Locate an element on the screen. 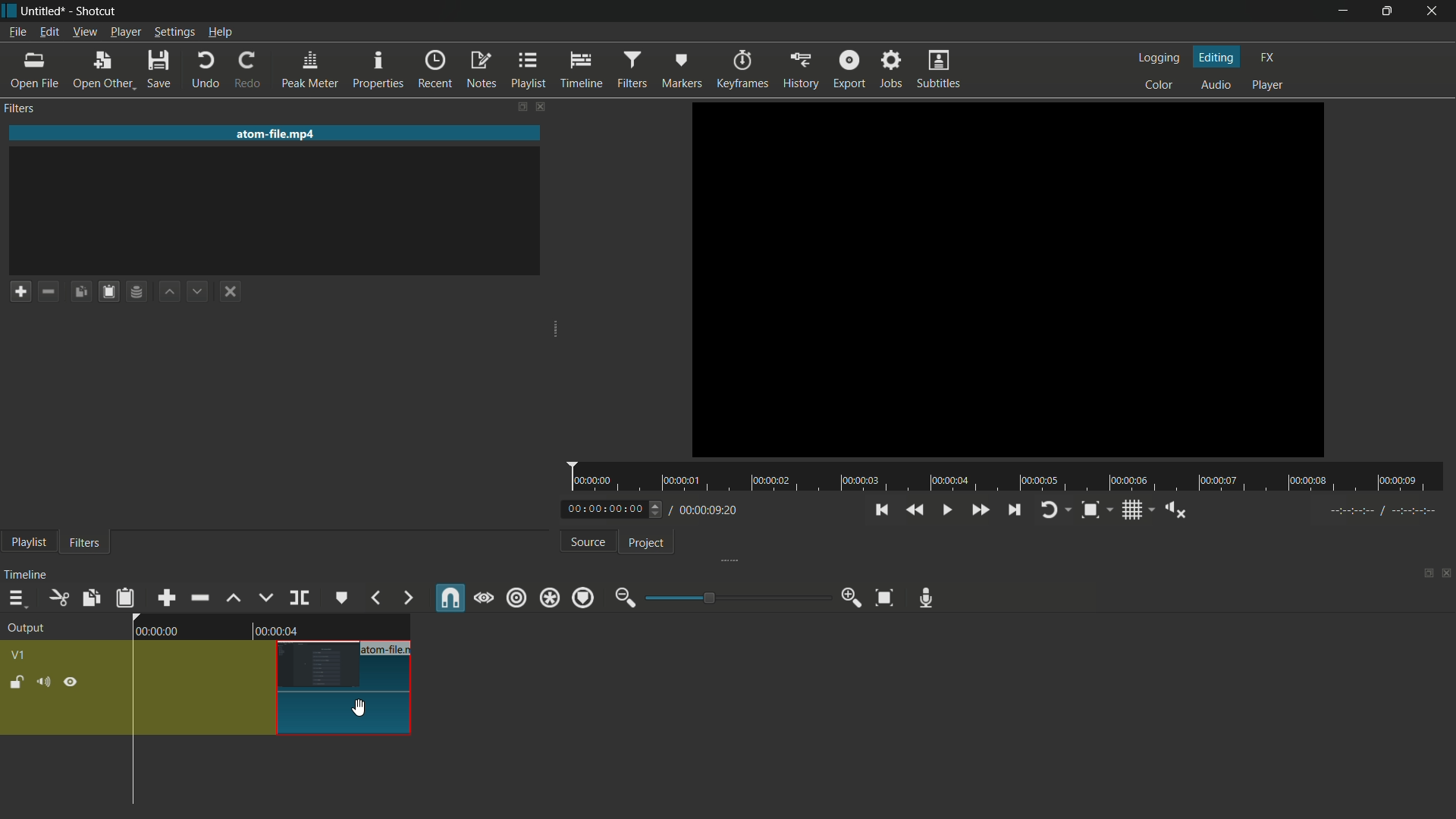  open file is located at coordinates (33, 71).